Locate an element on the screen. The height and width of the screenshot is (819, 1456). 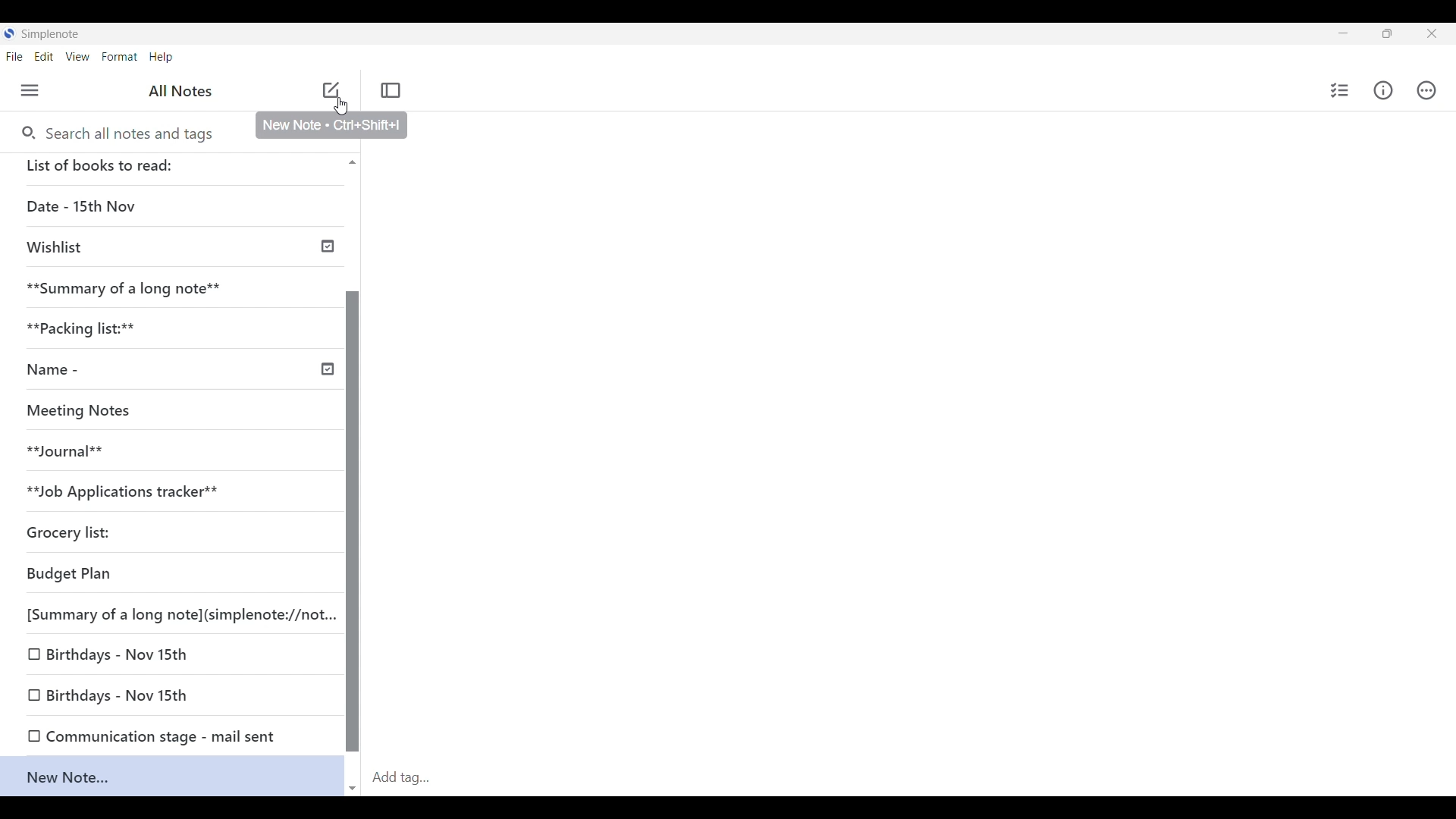
Scroll up button is located at coordinates (348, 162).